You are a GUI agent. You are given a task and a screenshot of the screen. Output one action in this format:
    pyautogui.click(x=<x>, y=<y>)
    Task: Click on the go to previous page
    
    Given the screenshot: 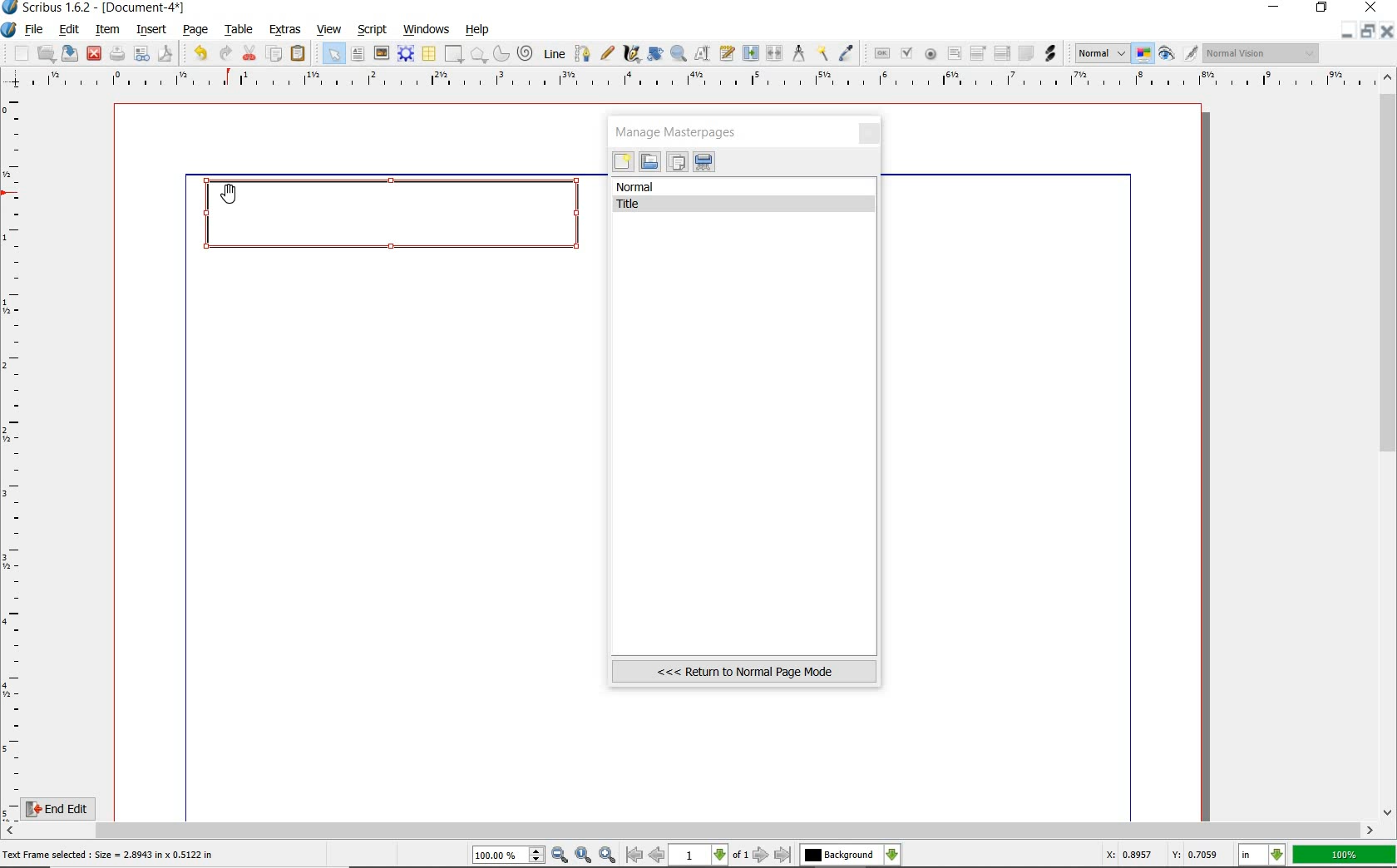 What is the action you would take?
    pyautogui.click(x=659, y=856)
    